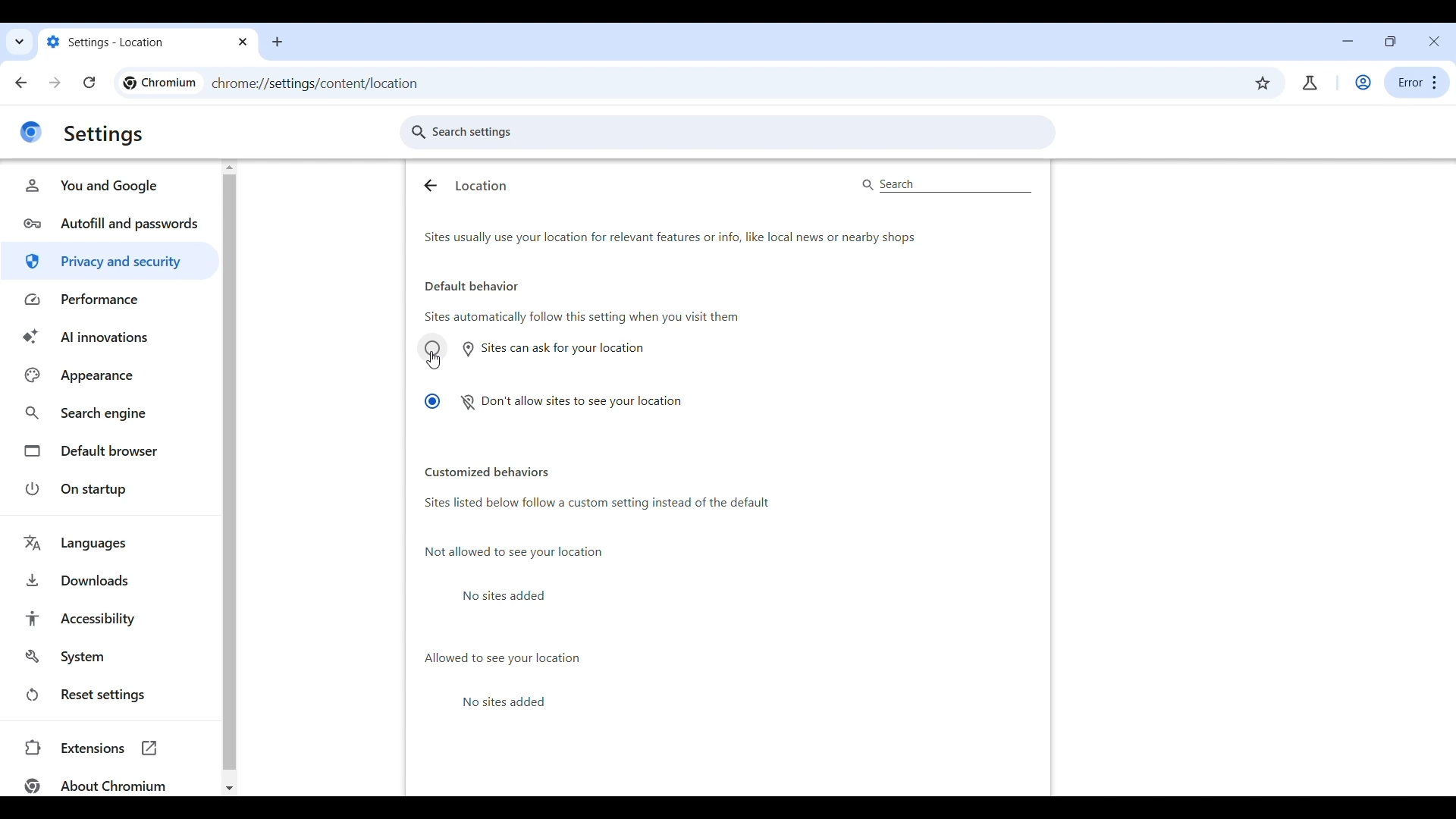 The height and width of the screenshot is (819, 1456). I want to click on extensions, so click(108, 747).